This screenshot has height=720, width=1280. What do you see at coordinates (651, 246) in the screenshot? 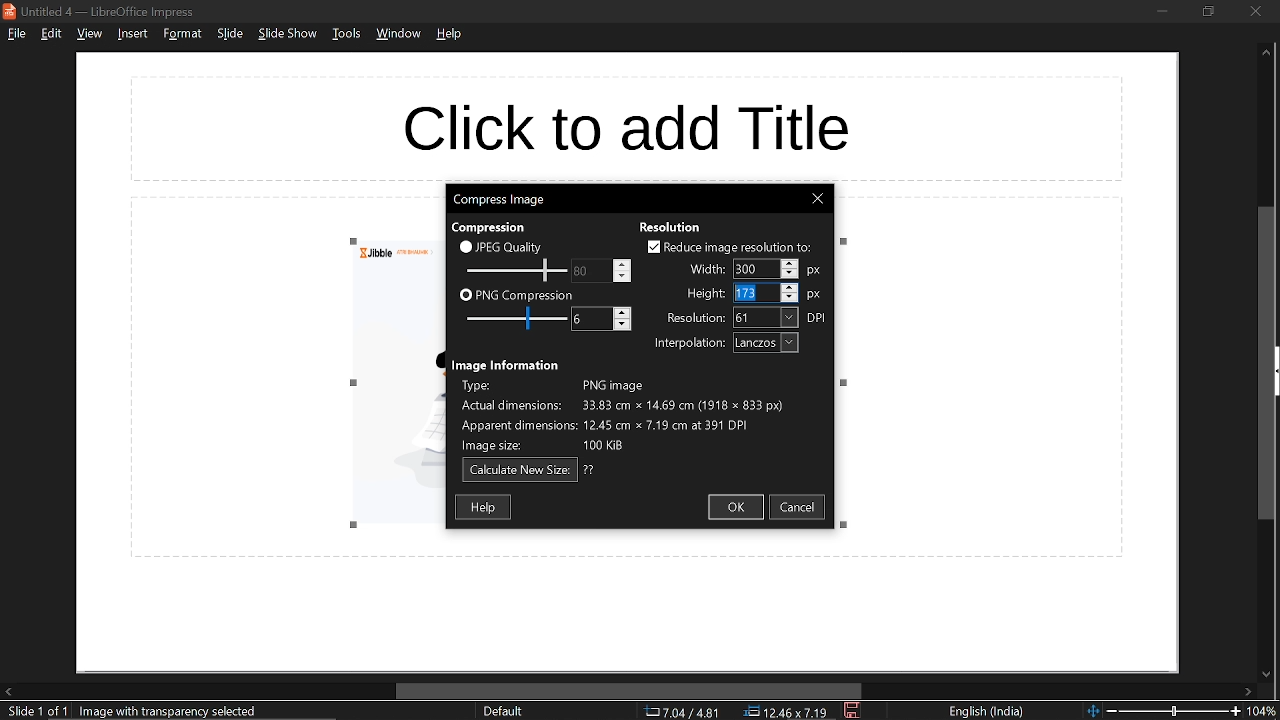
I see `checkbox` at bounding box center [651, 246].